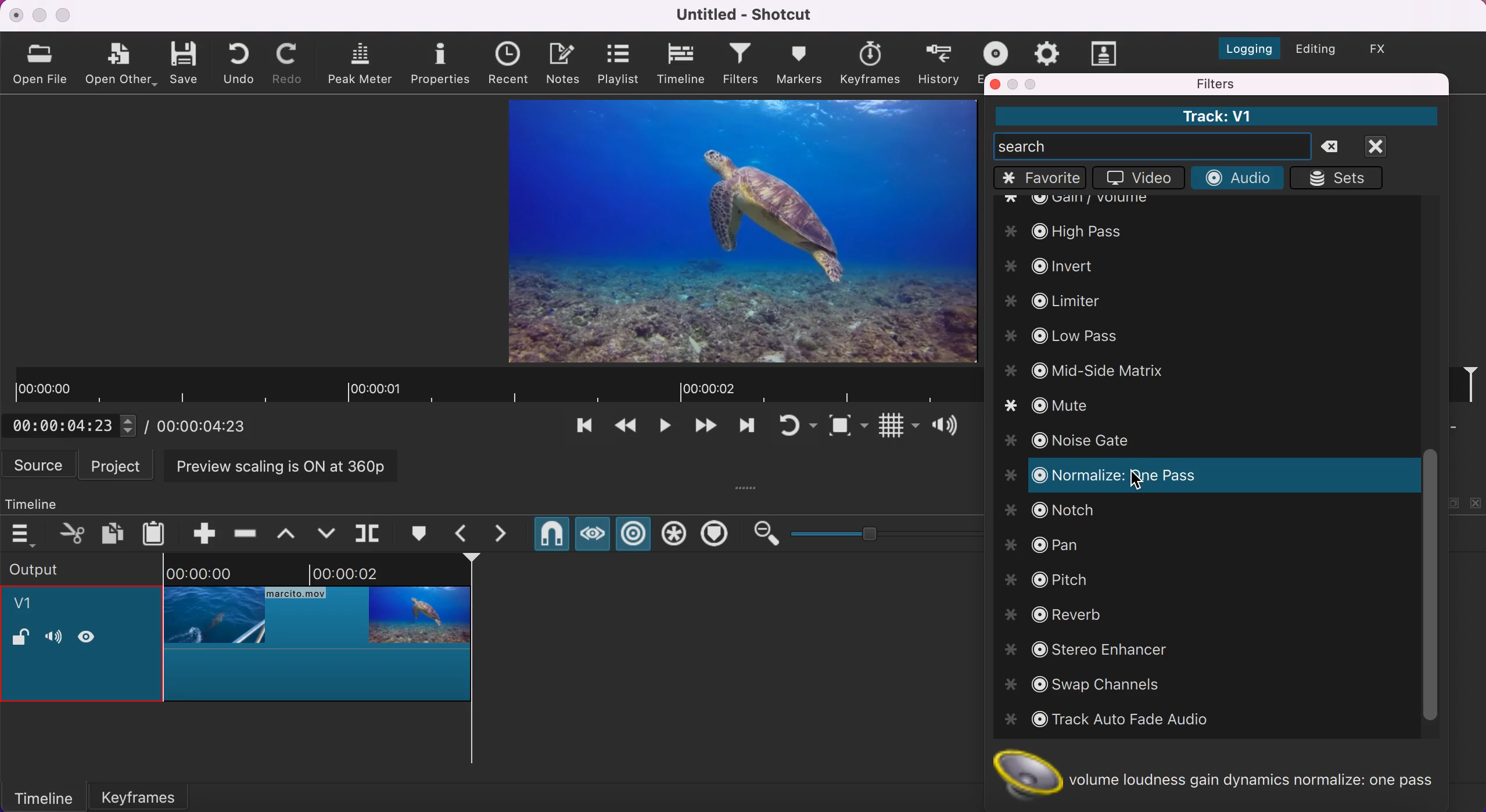 Image resolution: width=1486 pixels, height=812 pixels. I want to click on volume, so click(53, 638).